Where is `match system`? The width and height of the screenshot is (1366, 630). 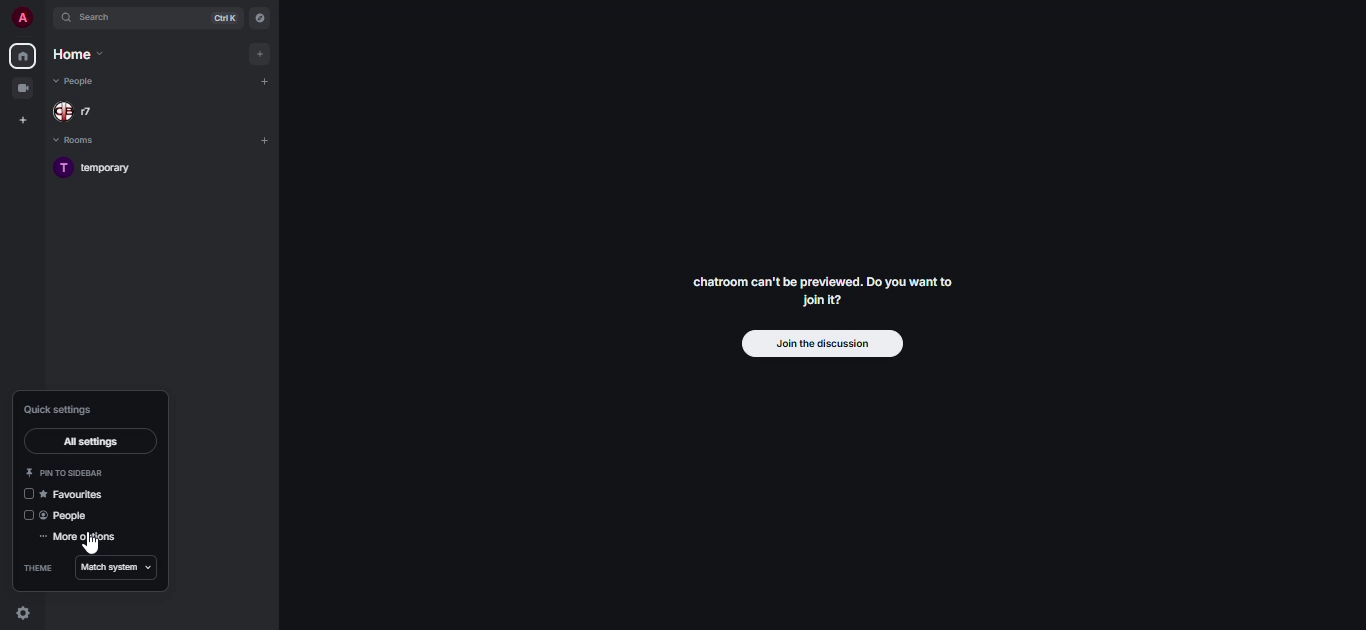 match system is located at coordinates (118, 568).